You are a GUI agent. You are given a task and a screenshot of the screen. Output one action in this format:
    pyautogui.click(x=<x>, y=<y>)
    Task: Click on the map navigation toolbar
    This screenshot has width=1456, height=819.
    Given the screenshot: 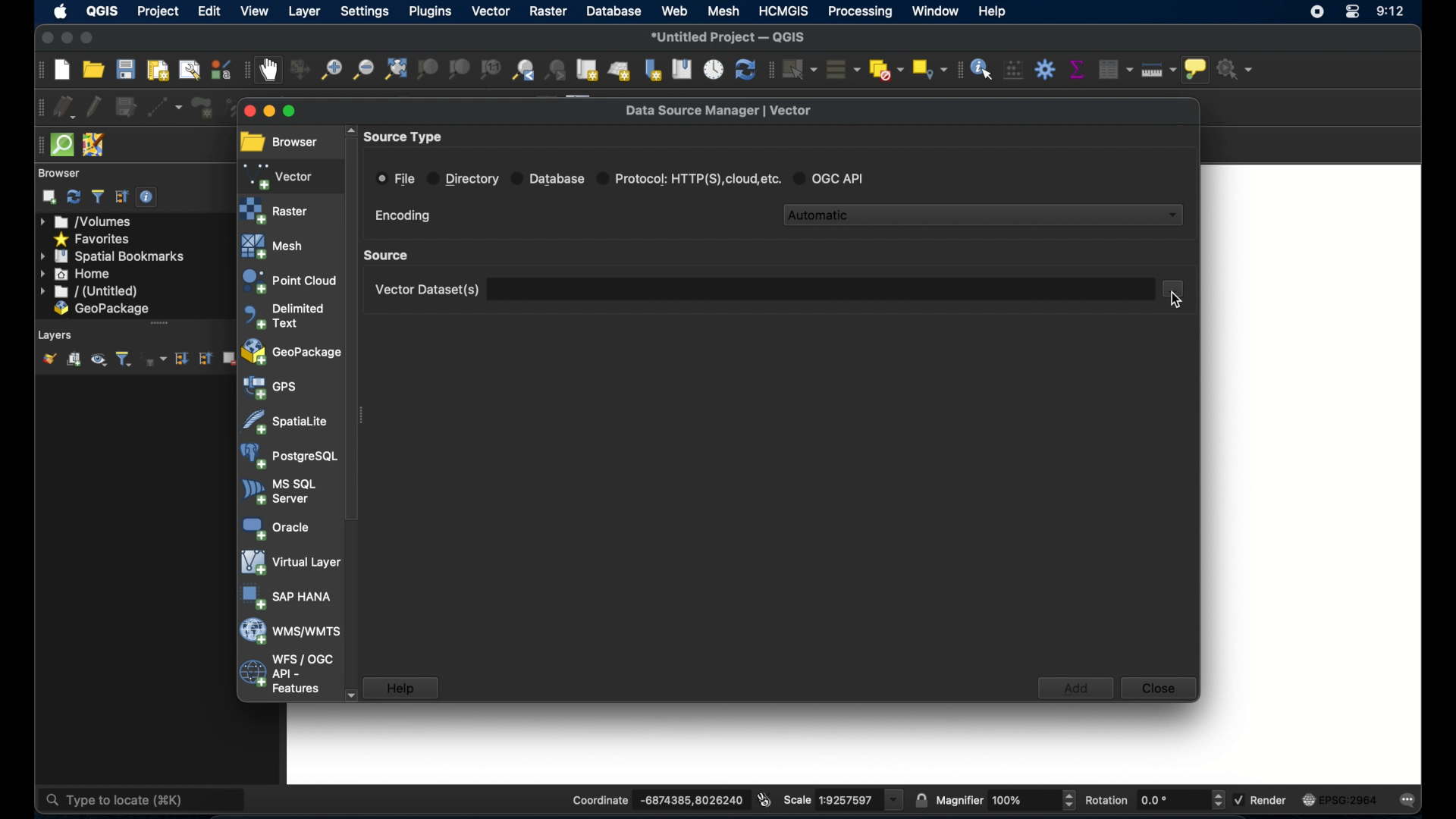 What is the action you would take?
    pyautogui.click(x=245, y=72)
    